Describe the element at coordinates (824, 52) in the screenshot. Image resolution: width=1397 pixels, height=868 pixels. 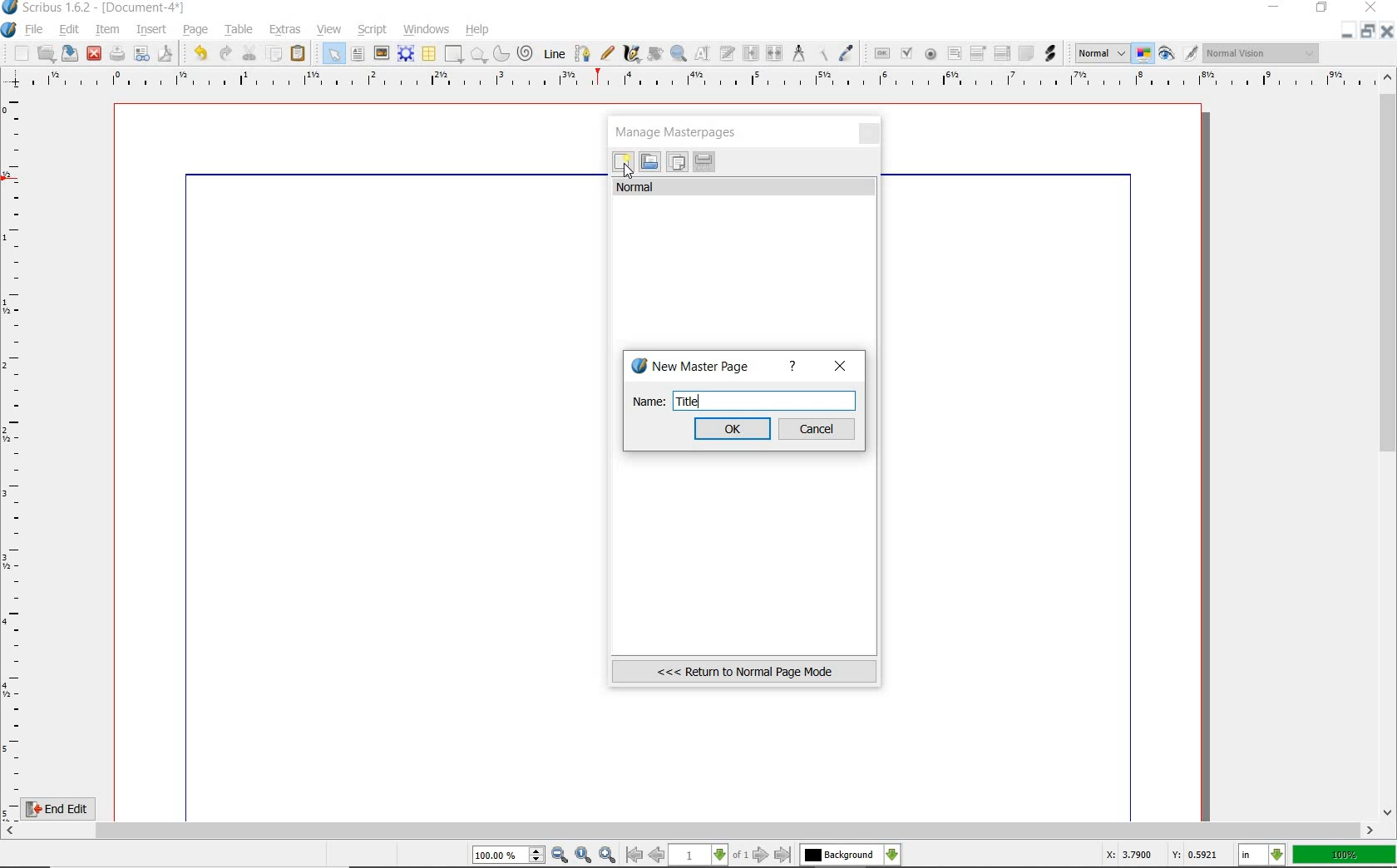
I see `copy item properties` at that location.